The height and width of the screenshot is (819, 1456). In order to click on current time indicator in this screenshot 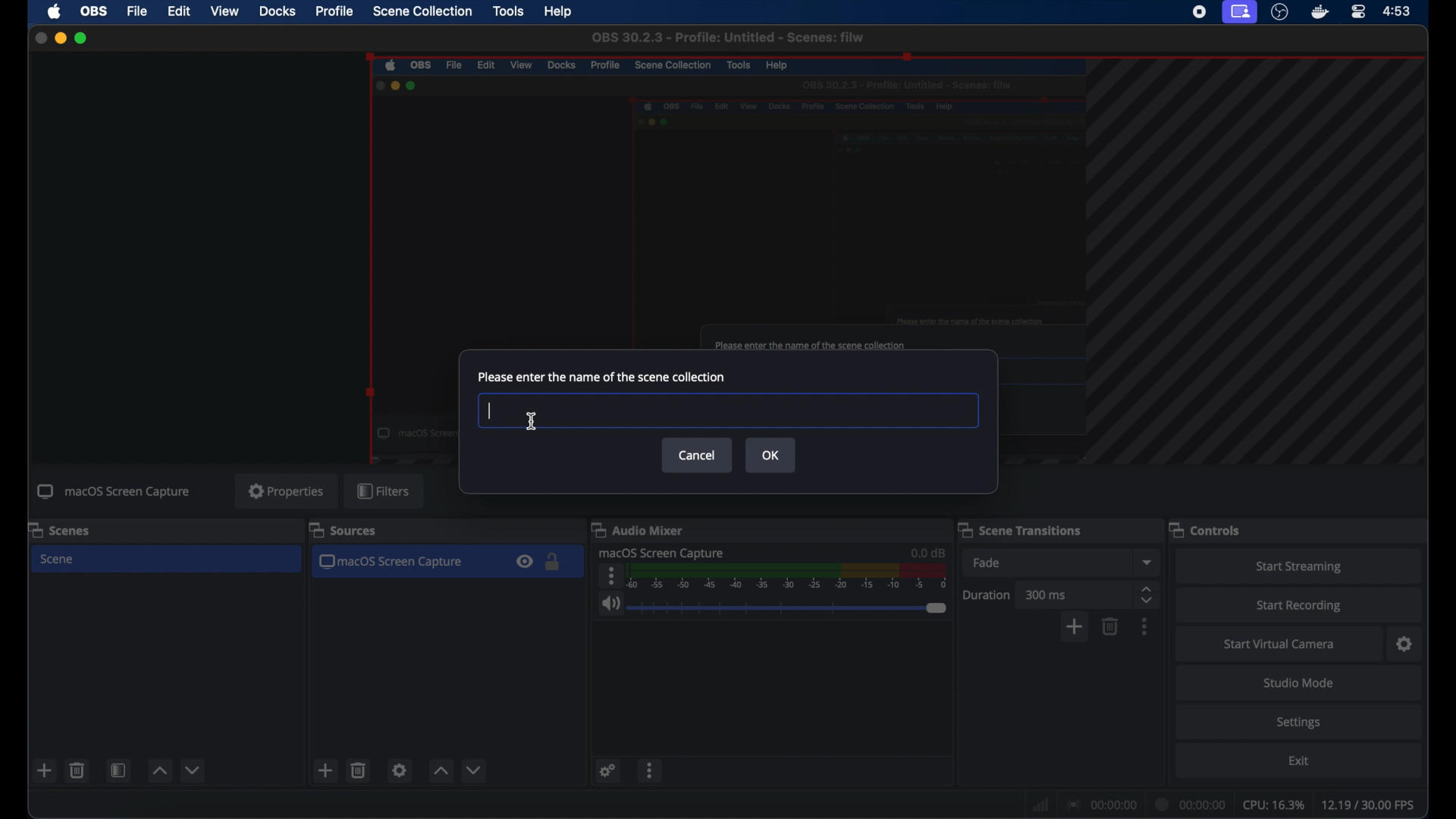, I will do `click(1194, 802)`.